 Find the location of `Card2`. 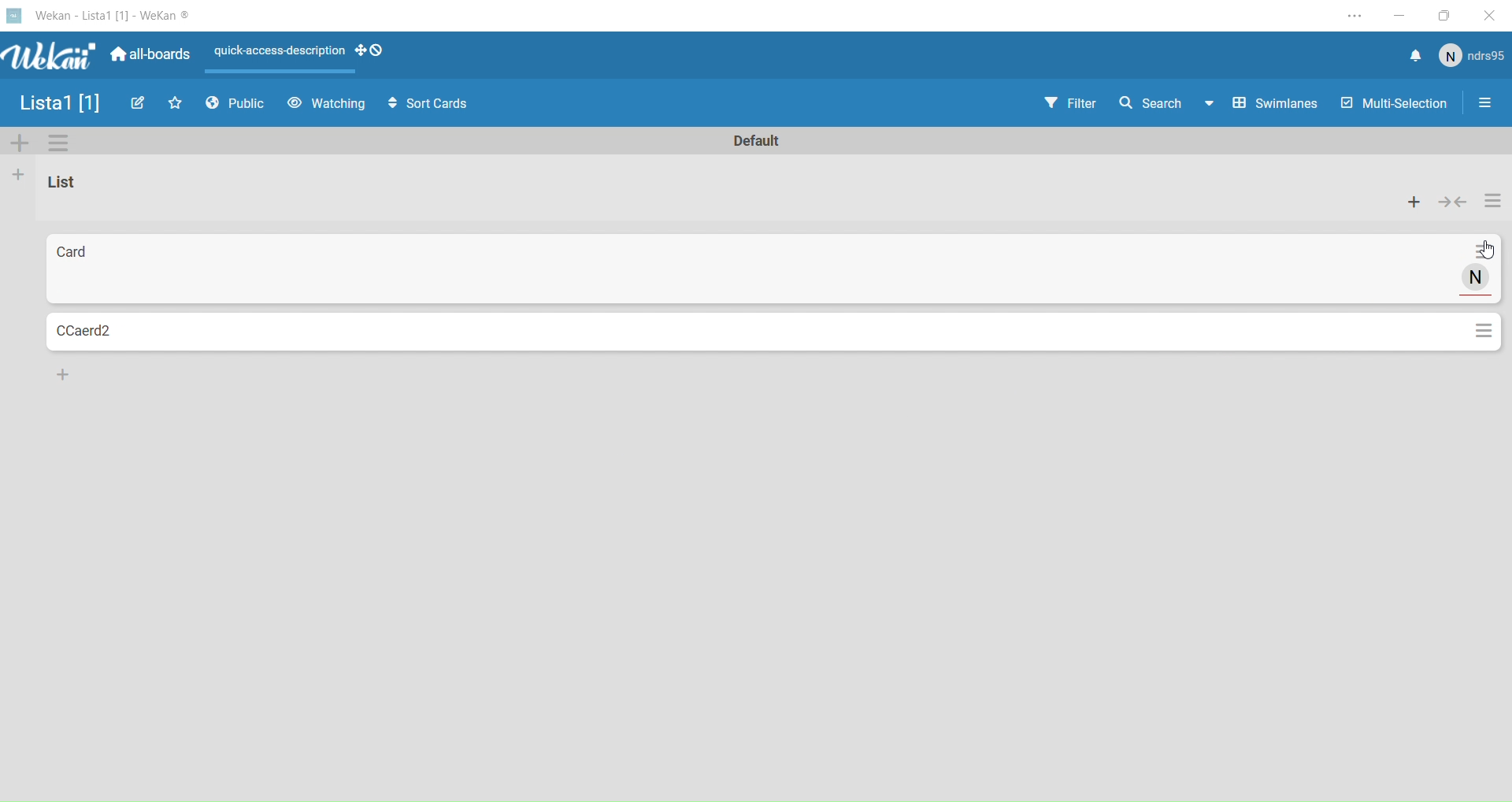

Card2 is located at coordinates (631, 333).